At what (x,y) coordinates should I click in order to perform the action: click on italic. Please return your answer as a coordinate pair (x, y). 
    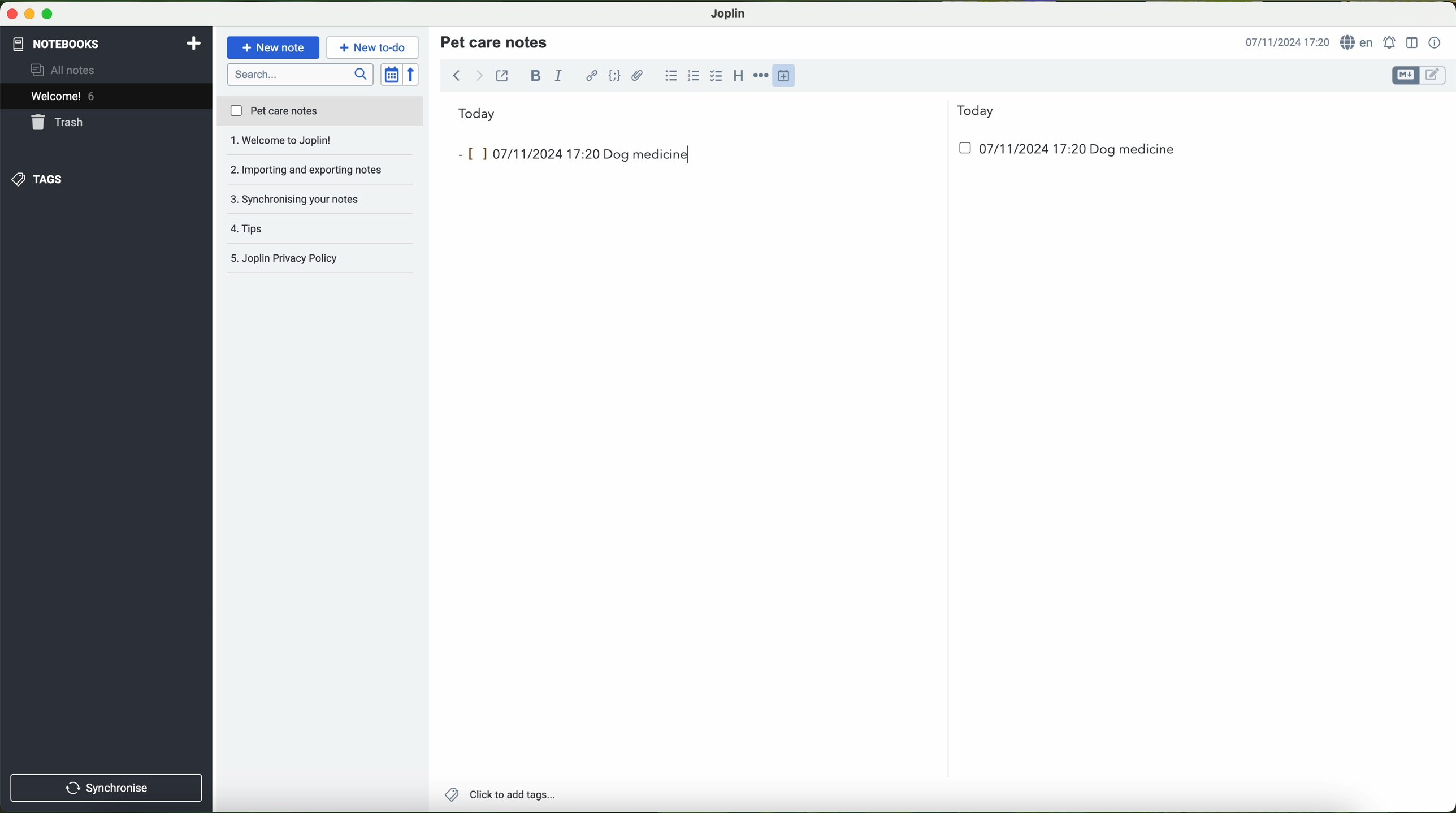
    Looking at the image, I should click on (557, 76).